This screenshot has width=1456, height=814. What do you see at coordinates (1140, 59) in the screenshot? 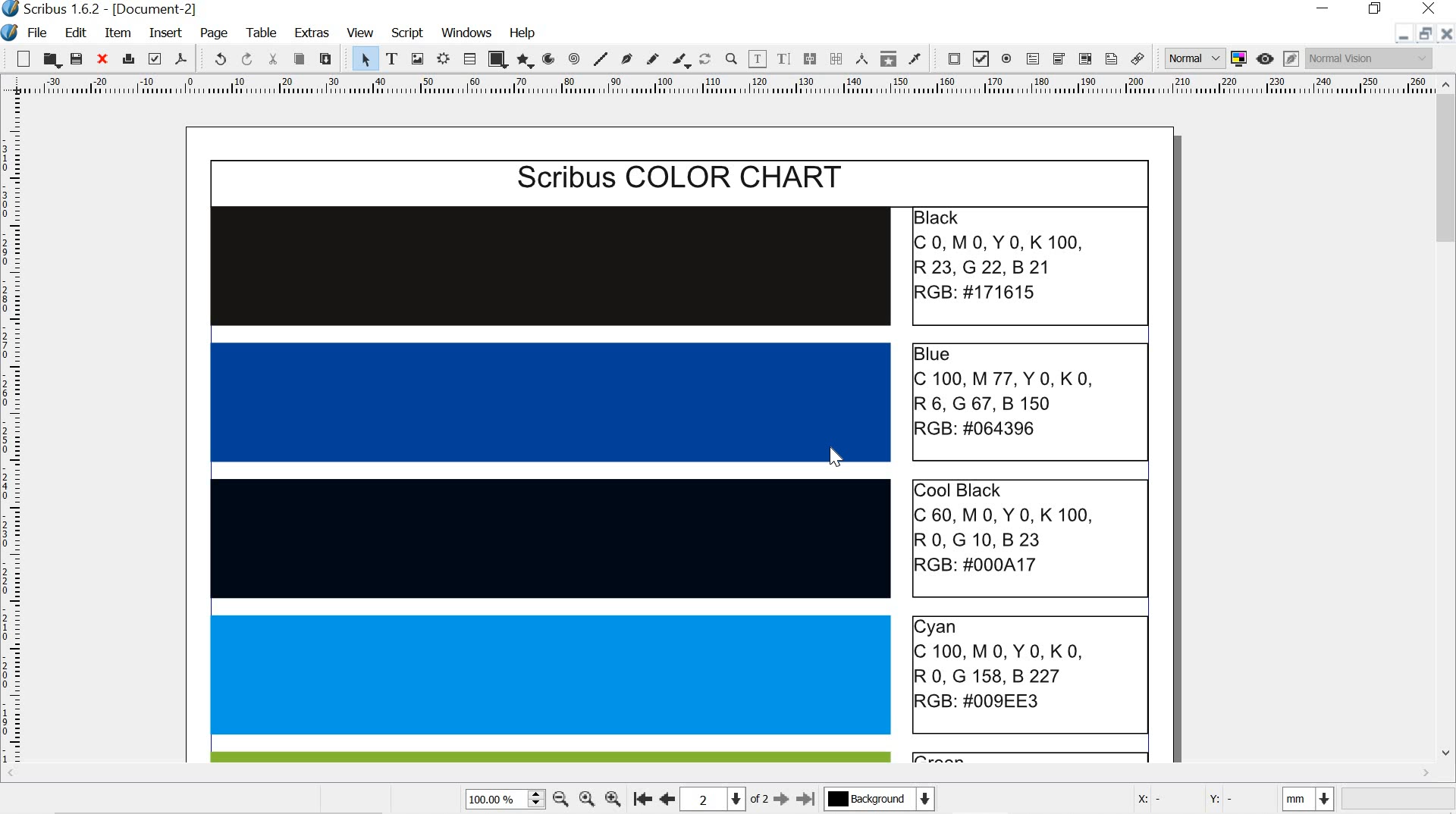
I see `link annotation` at bounding box center [1140, 59].